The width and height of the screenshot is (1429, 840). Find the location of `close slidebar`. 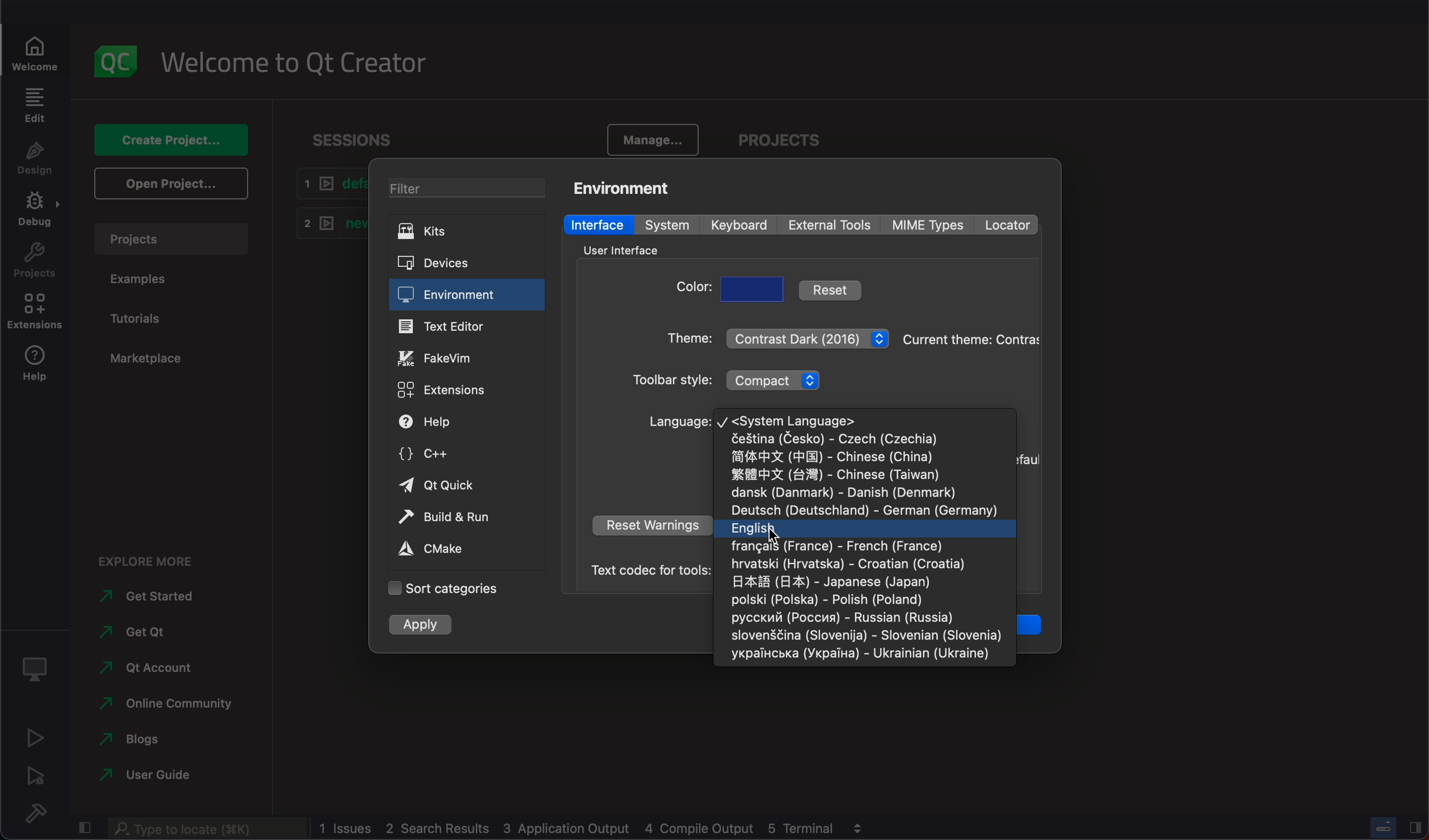

close slidebar is located at coordinates (1415, 828).